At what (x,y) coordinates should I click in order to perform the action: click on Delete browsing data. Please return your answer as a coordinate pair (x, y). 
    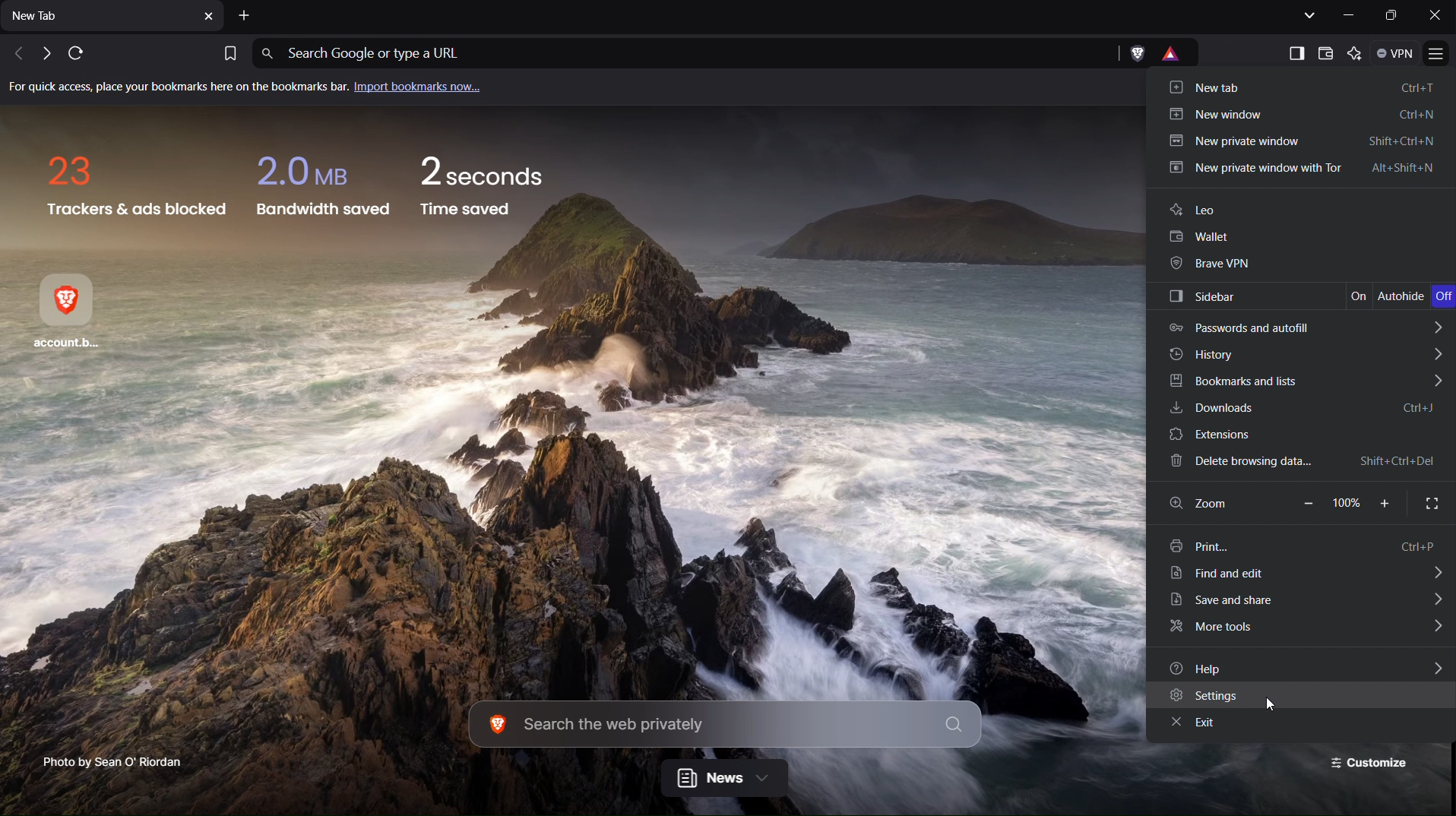
    Looking at the image, I should click on (1299, 463).